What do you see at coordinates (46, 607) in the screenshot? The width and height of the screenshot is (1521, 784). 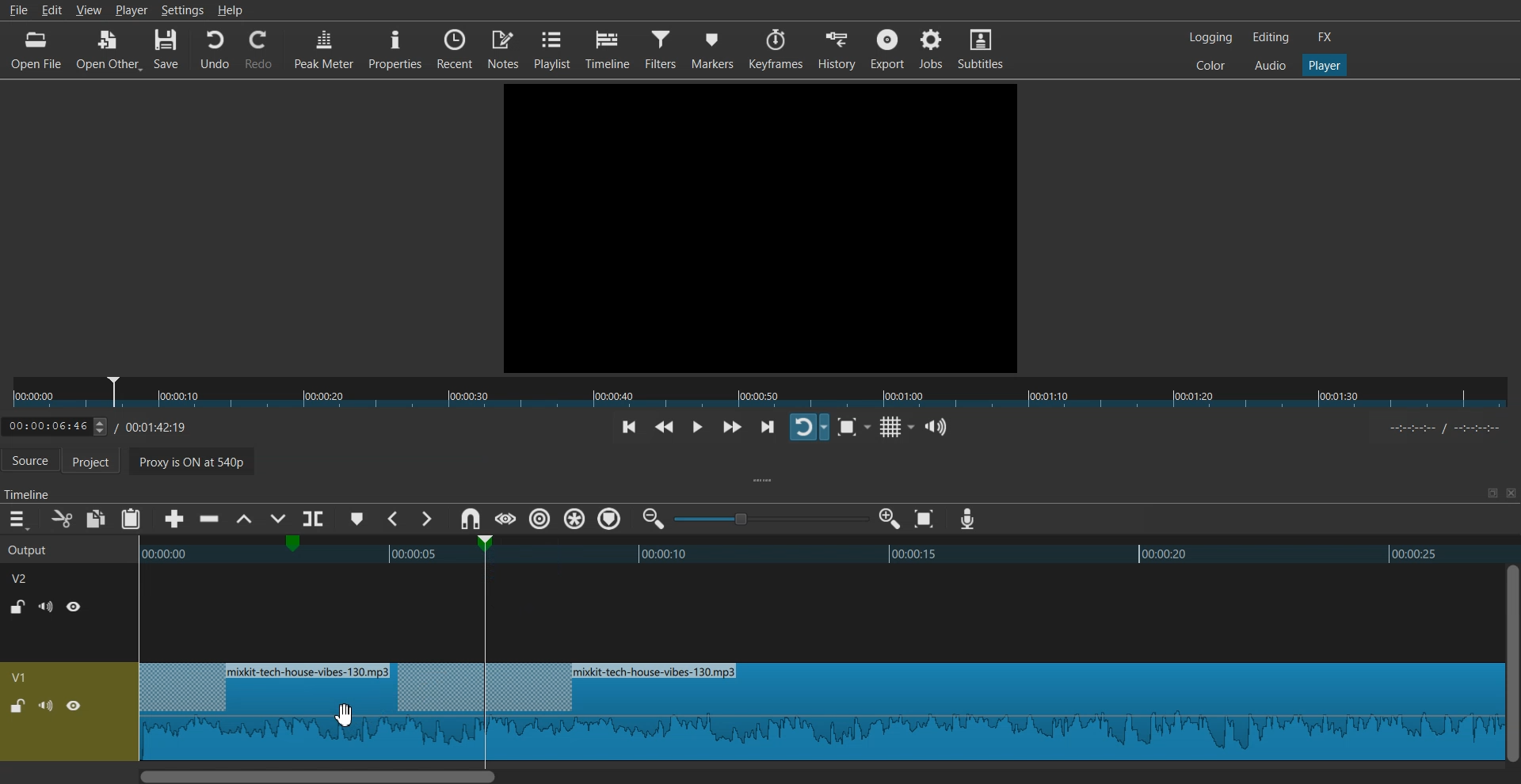 I see `Mute` at bounding box center [46, 607].